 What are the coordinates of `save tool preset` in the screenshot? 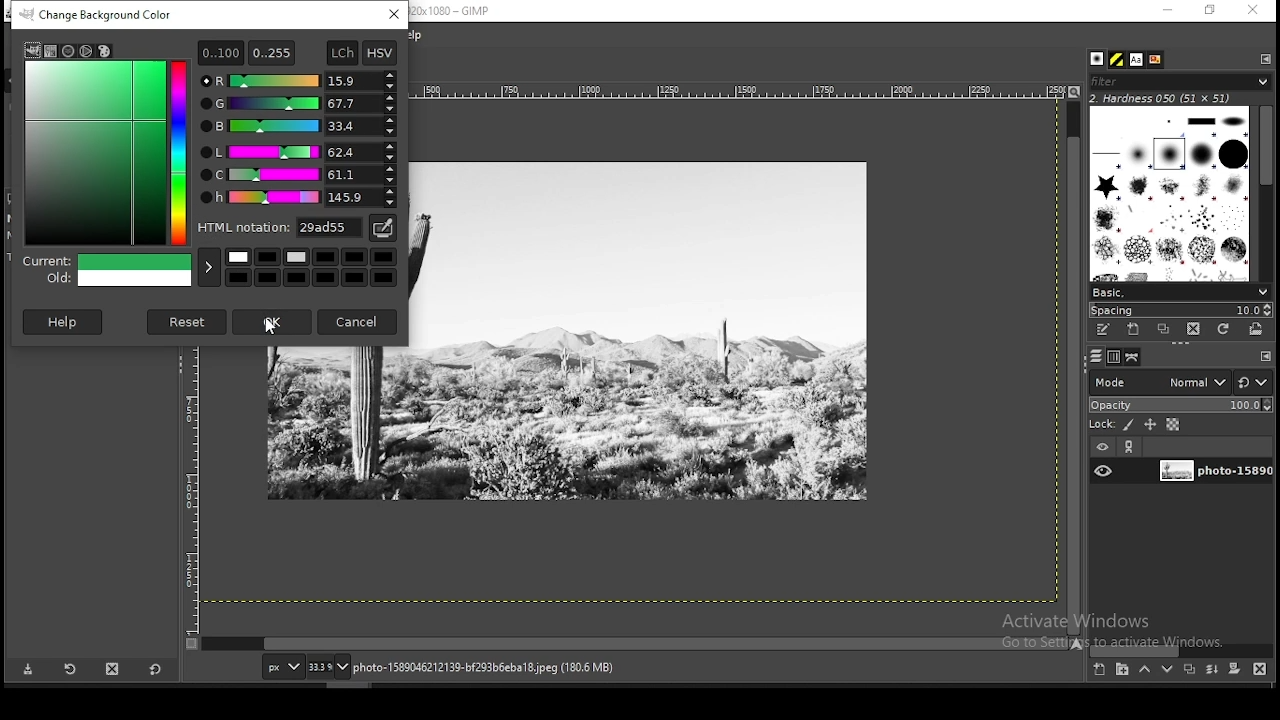 It's located at (26, 670).